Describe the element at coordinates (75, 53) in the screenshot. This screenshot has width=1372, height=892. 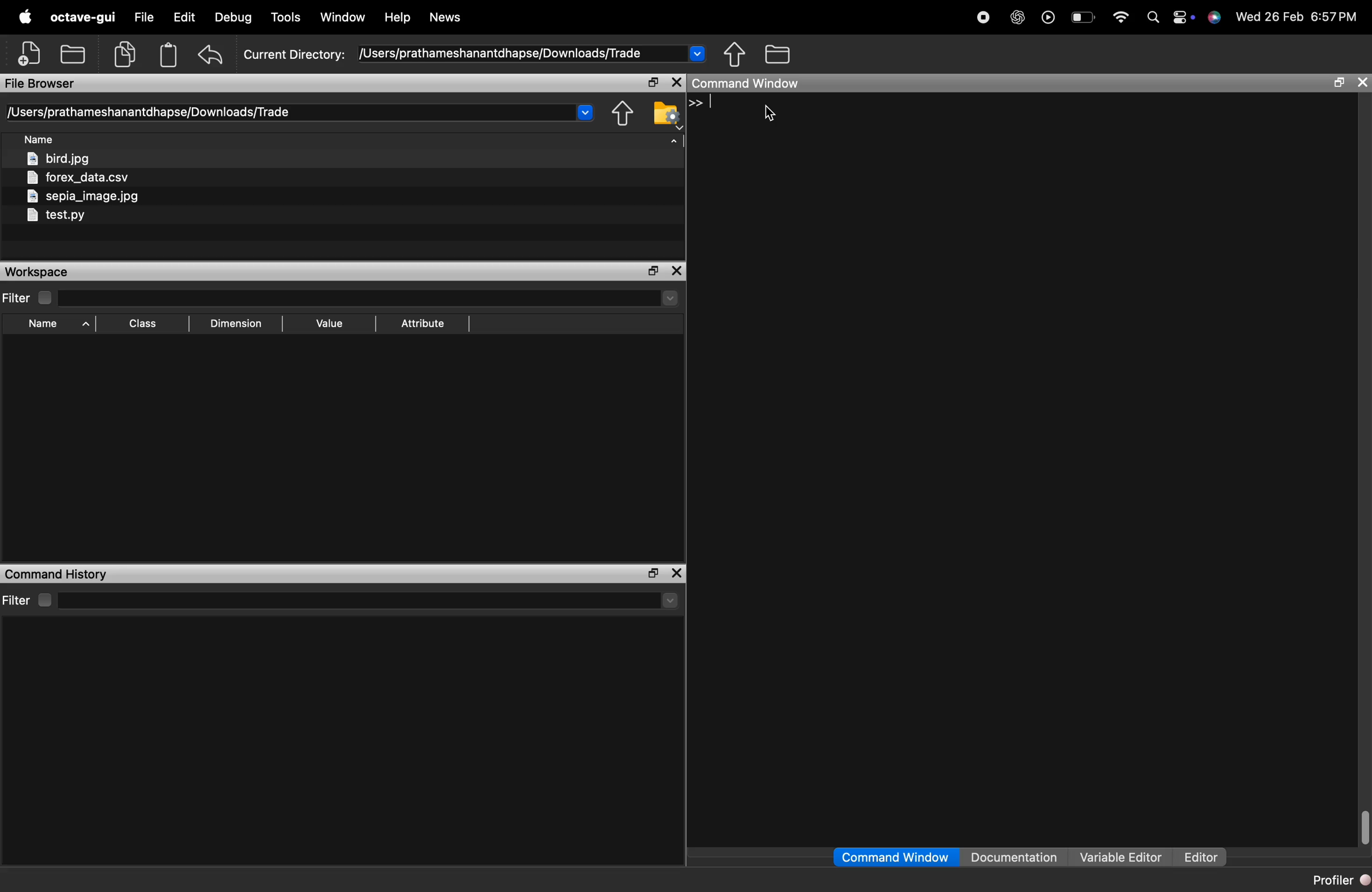
I see `open an existing file in editor` at that location.